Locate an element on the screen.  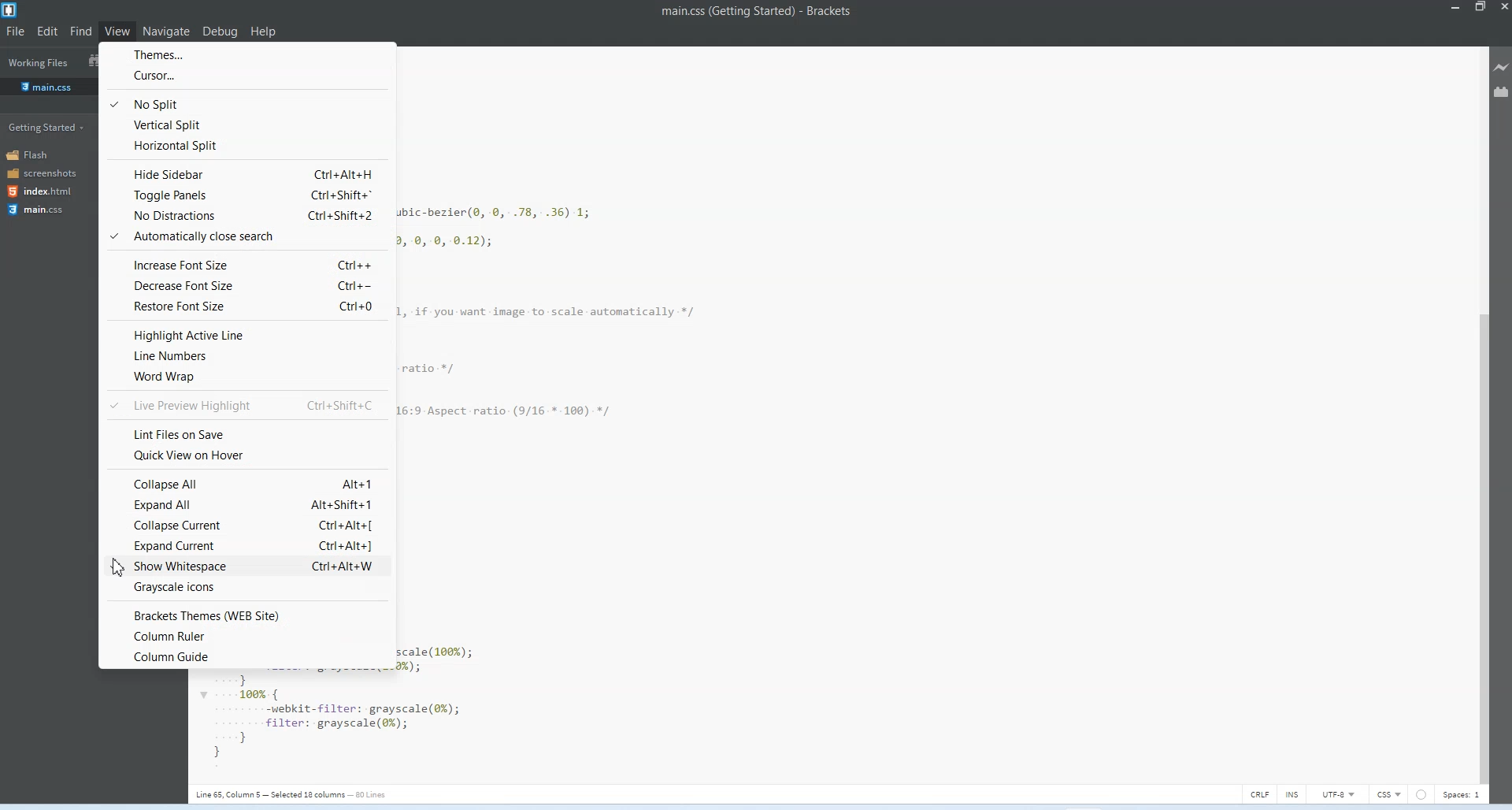
Grayscale icons is located at coordinates (246, 588).